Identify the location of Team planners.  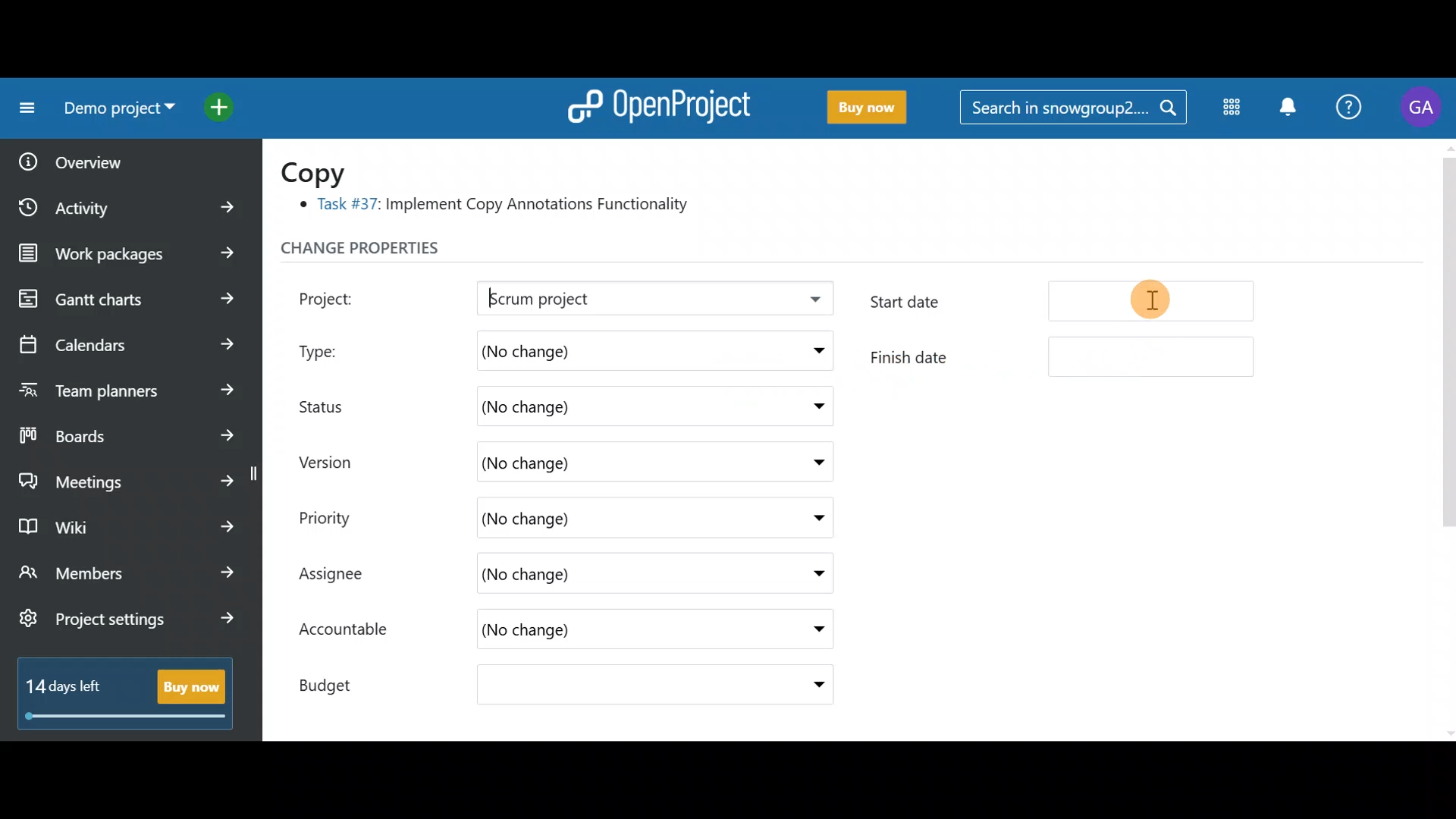
(124, 385).